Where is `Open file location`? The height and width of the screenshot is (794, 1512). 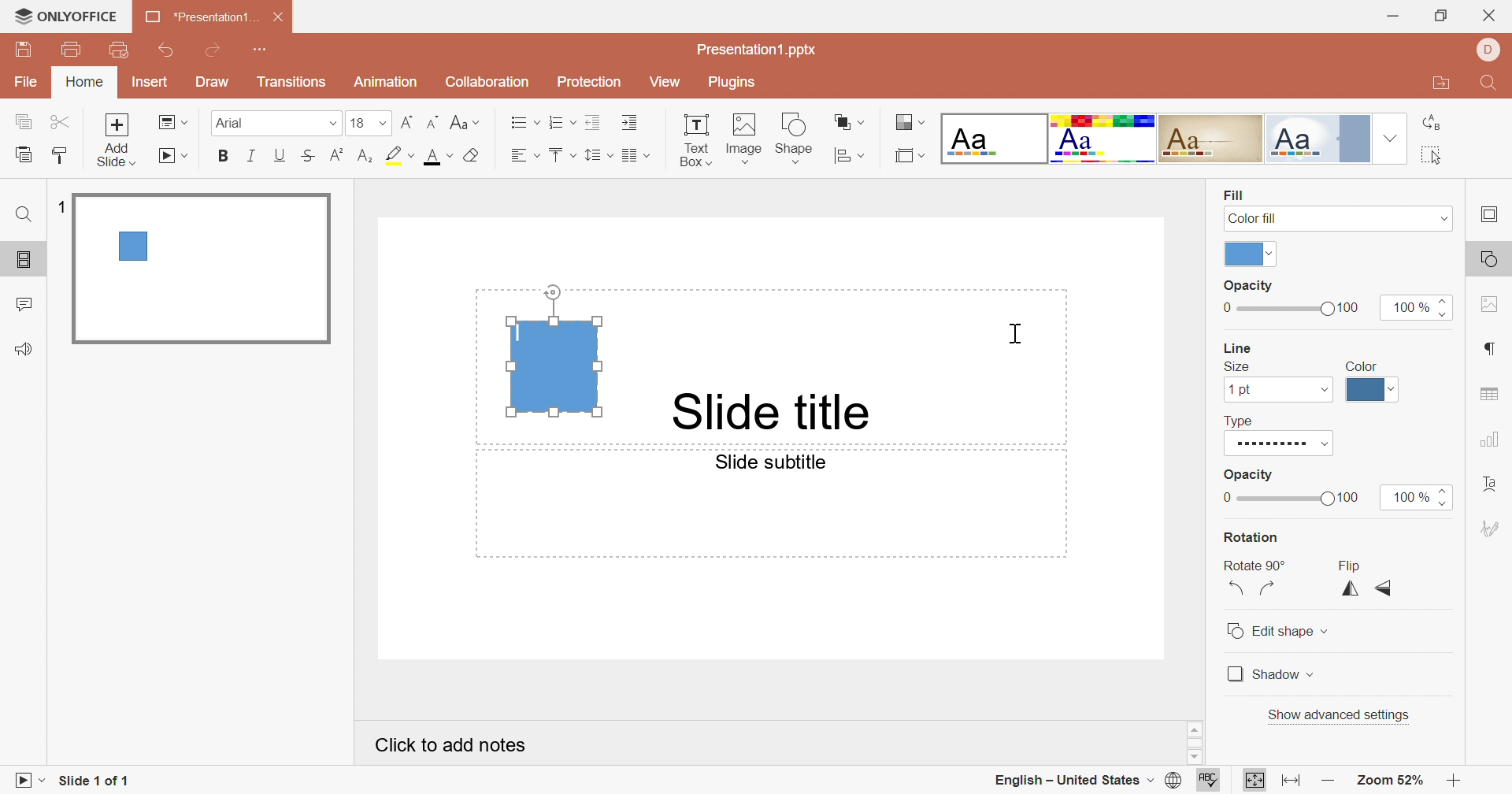 Open file location is located at coordinates (1444, 85).